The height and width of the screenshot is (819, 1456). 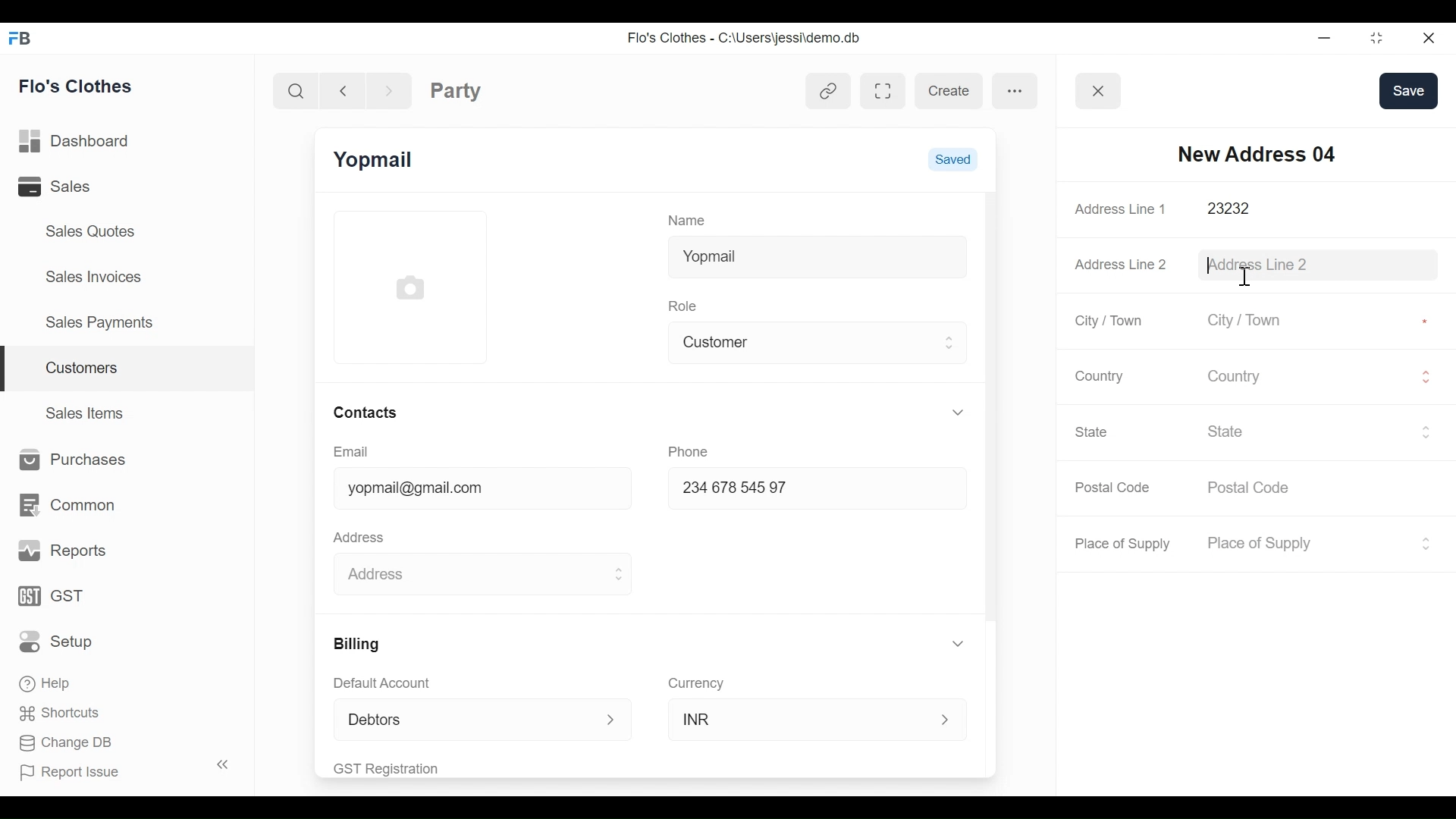 What do you see at coordinates (1308, 431) in the screenshot?
I see `State` at bounding box center [1308, 431].